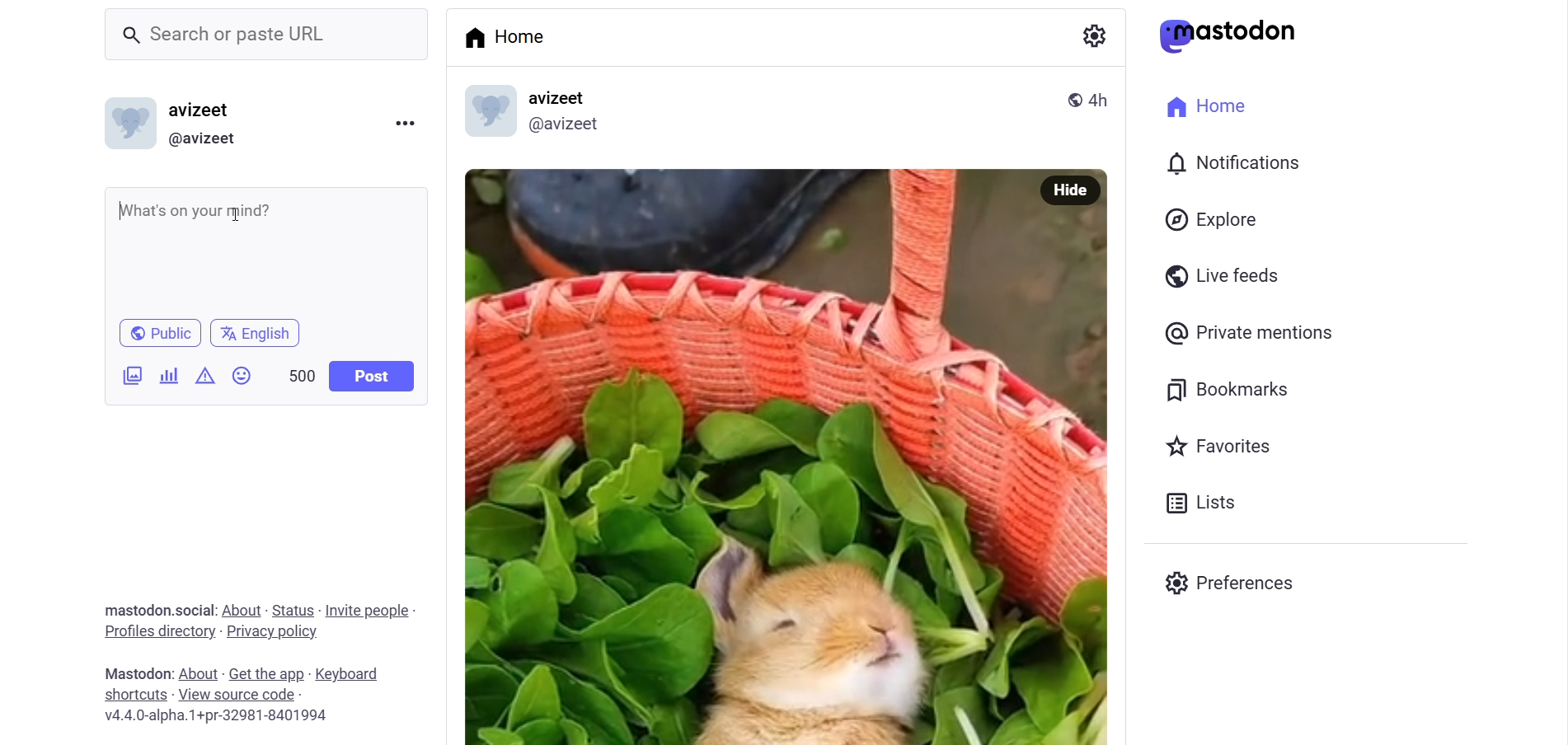 Image resolution: width=1568 pixels, height=745 pixels. Describe the element at coordinates (507, 38) in the screenshot. I see `Home` at that location.